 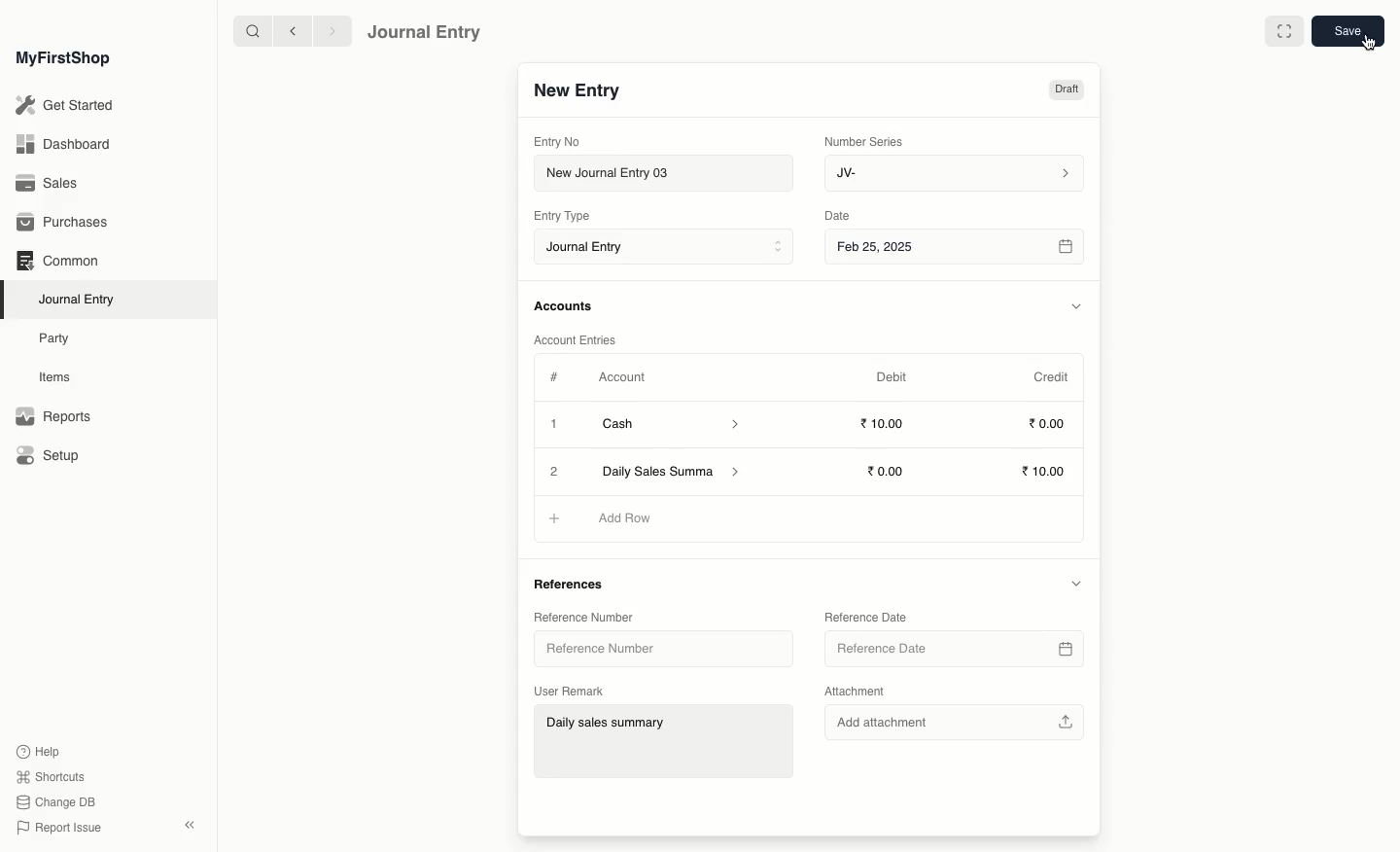 I want to click on Add attachment, so click(x=952, y=720).